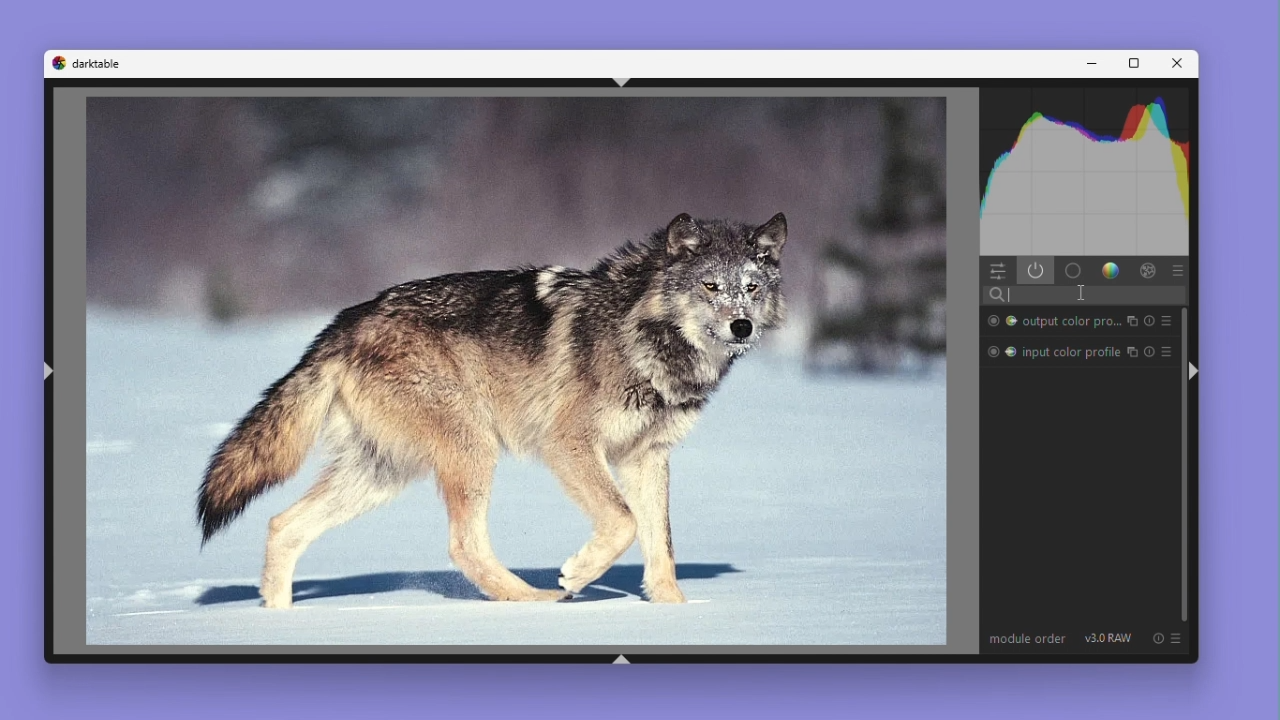  What do you see at coordinates (991, 321) in the screenshot?
I see `Radial Mask` at bounding box center [991, 321].